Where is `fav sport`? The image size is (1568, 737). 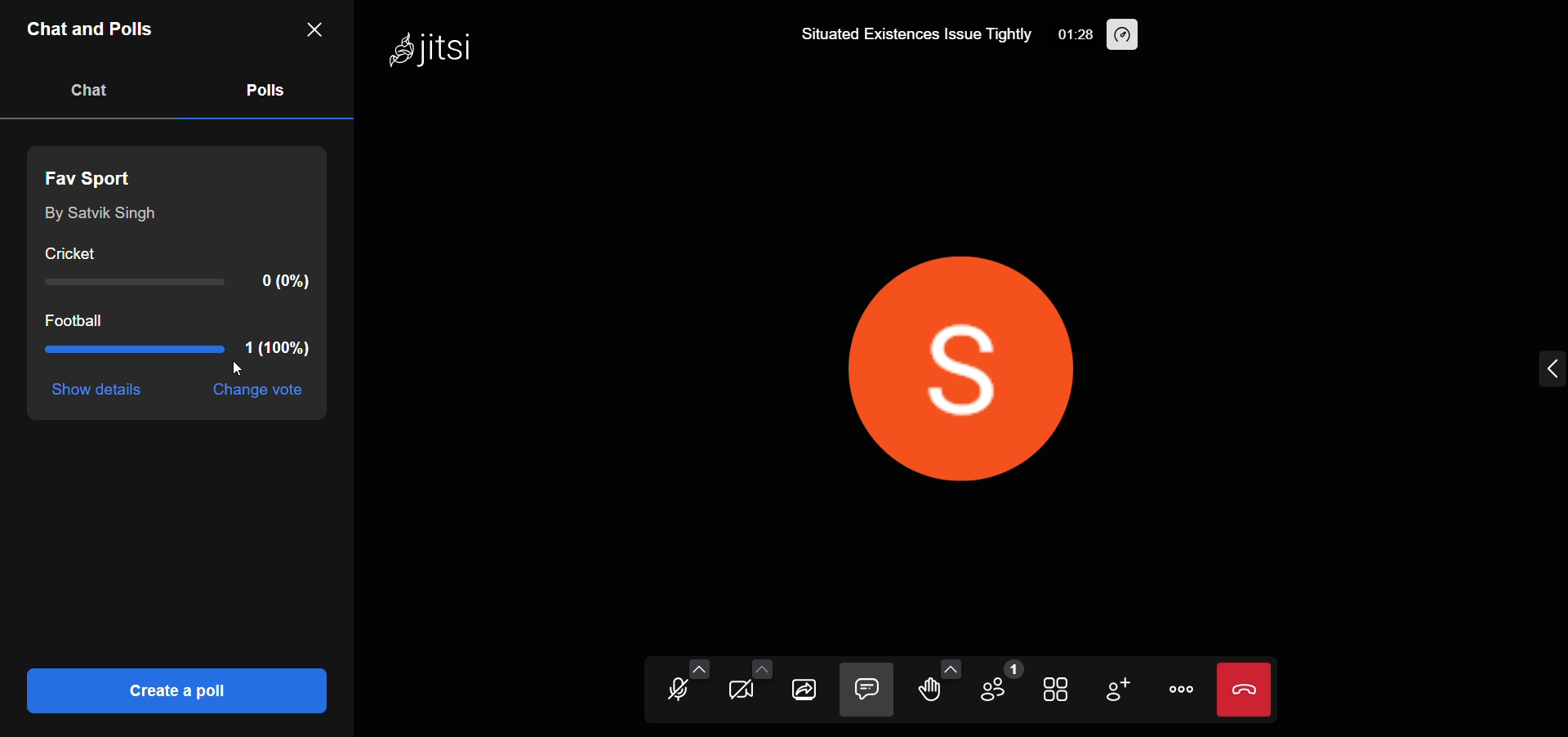 fav sport is located at coordinates (96, 176).